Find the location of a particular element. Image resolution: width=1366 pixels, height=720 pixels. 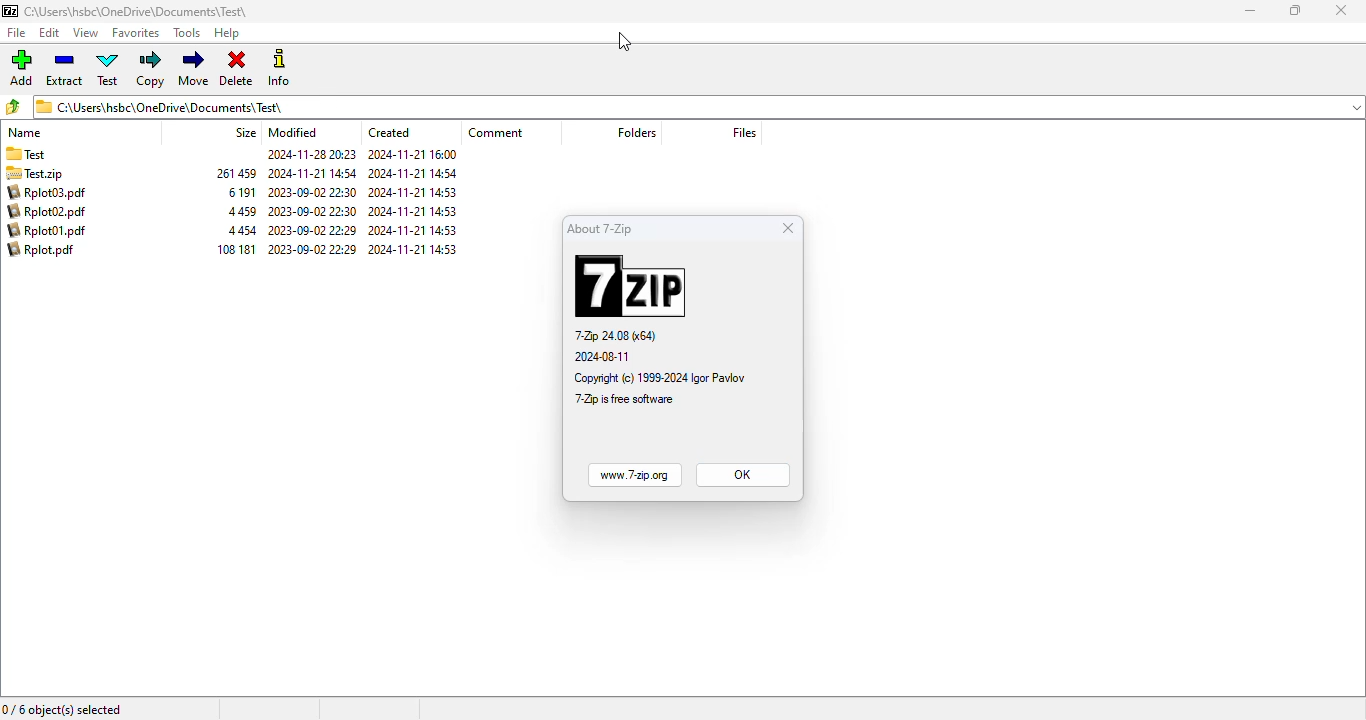

extract is located at coordinates (64, 68).